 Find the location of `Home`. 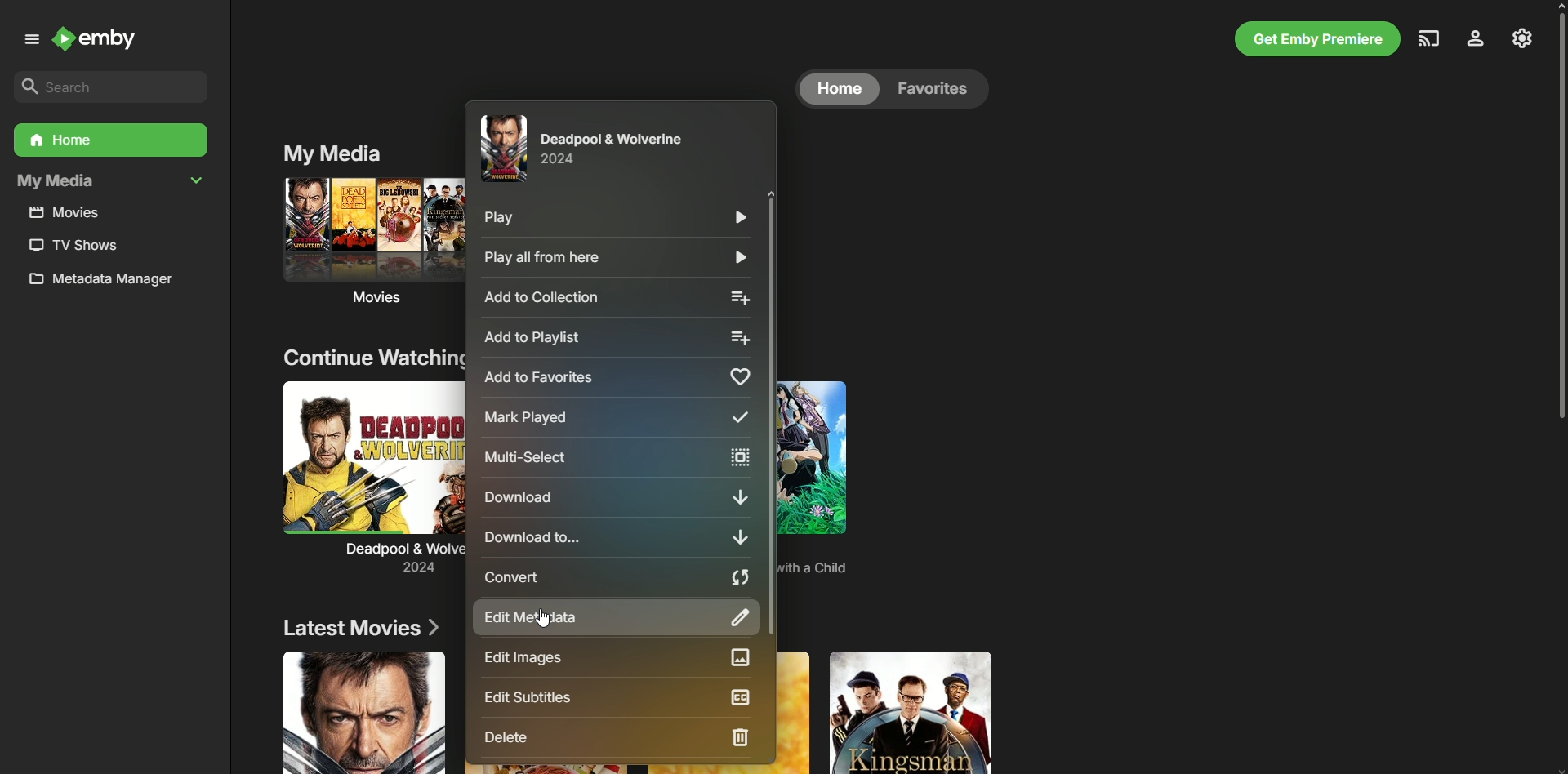

Home is located at coordinates (839, 89).